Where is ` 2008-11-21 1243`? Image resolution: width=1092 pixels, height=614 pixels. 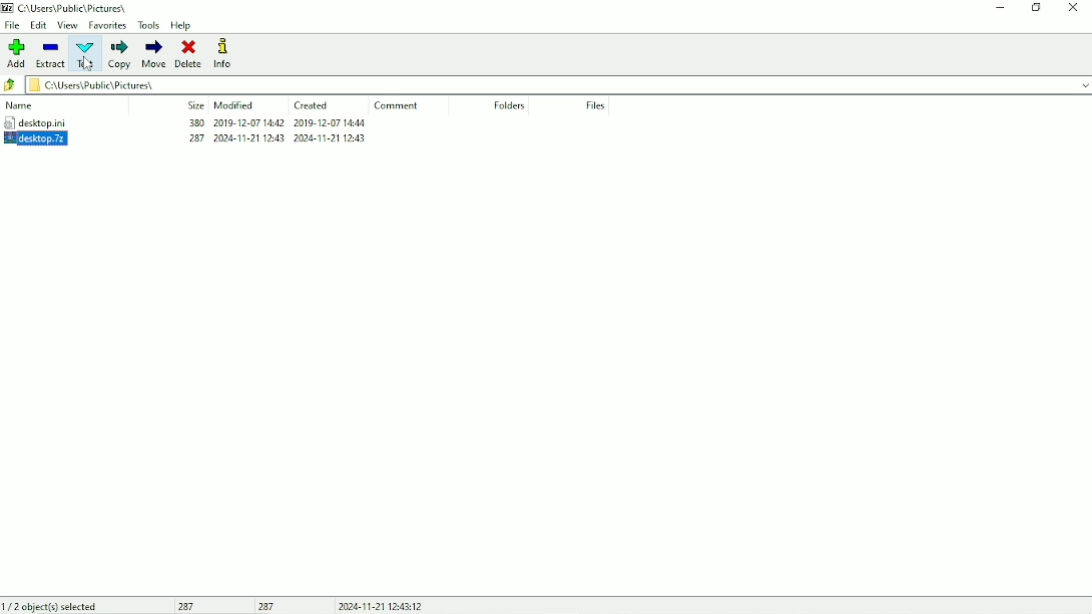  2008-11-21 1243 is located at coordinates (246, 138).